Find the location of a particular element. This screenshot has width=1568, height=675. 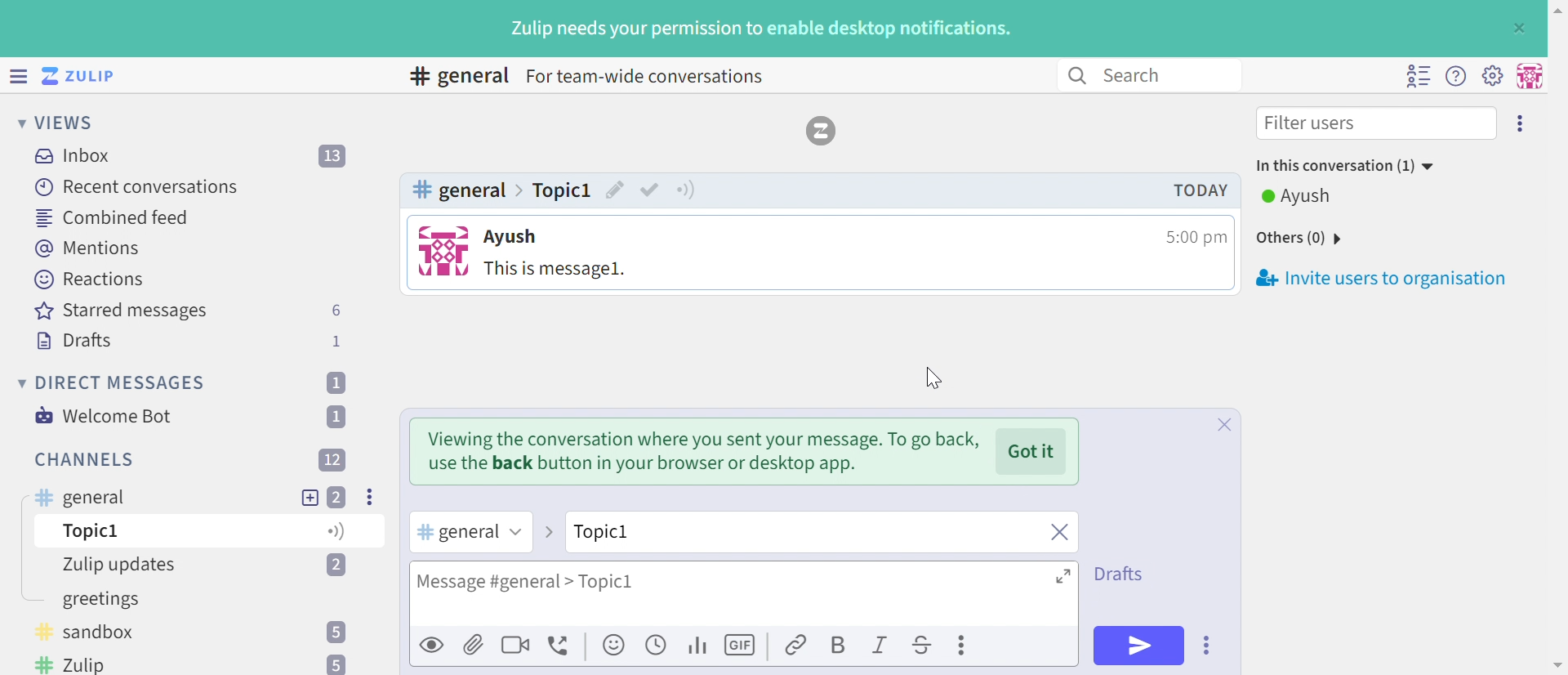

GIF is located at coordinates (742, 646).